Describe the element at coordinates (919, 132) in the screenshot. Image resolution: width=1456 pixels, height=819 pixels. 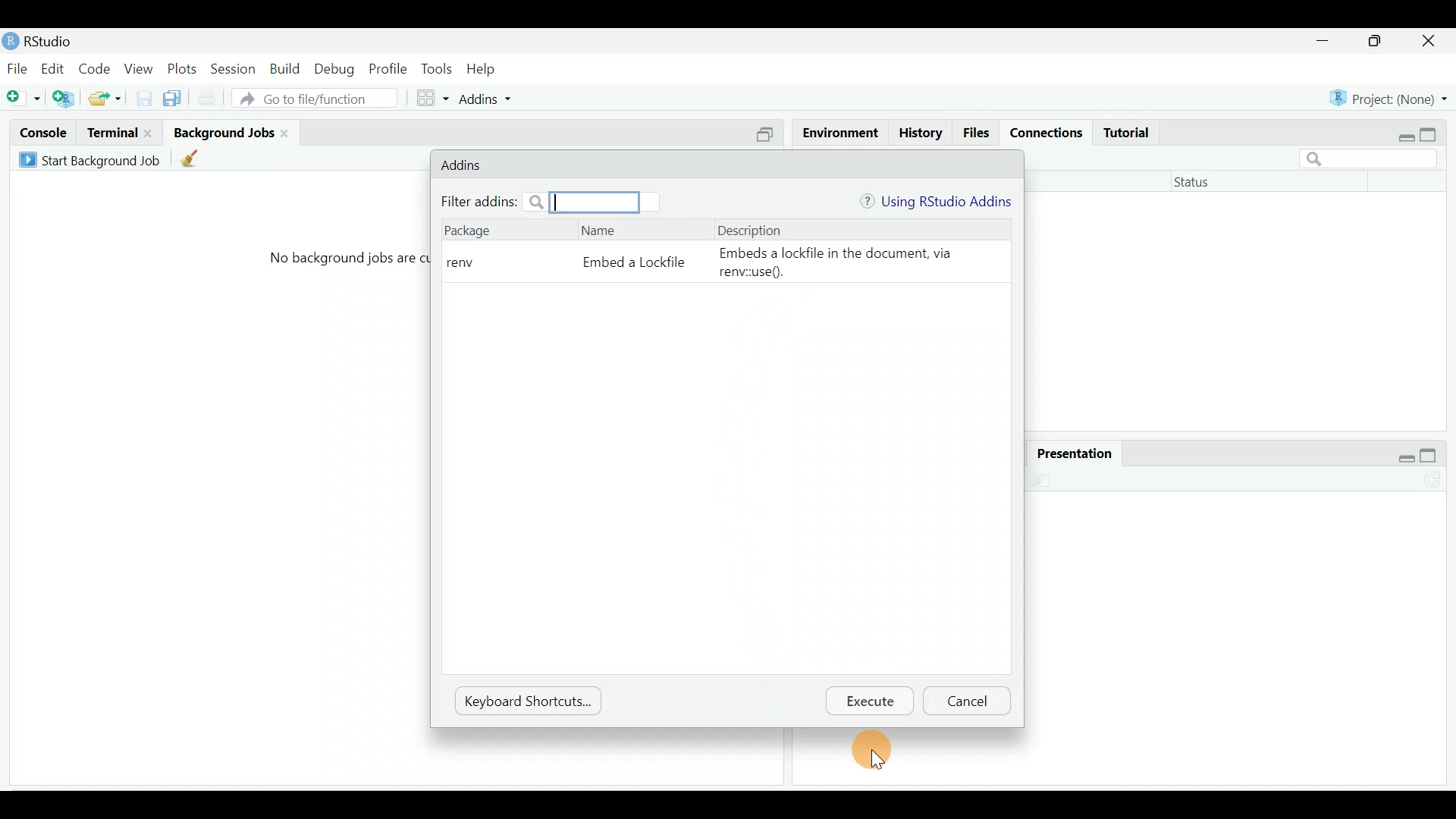
I see `History` at that location.